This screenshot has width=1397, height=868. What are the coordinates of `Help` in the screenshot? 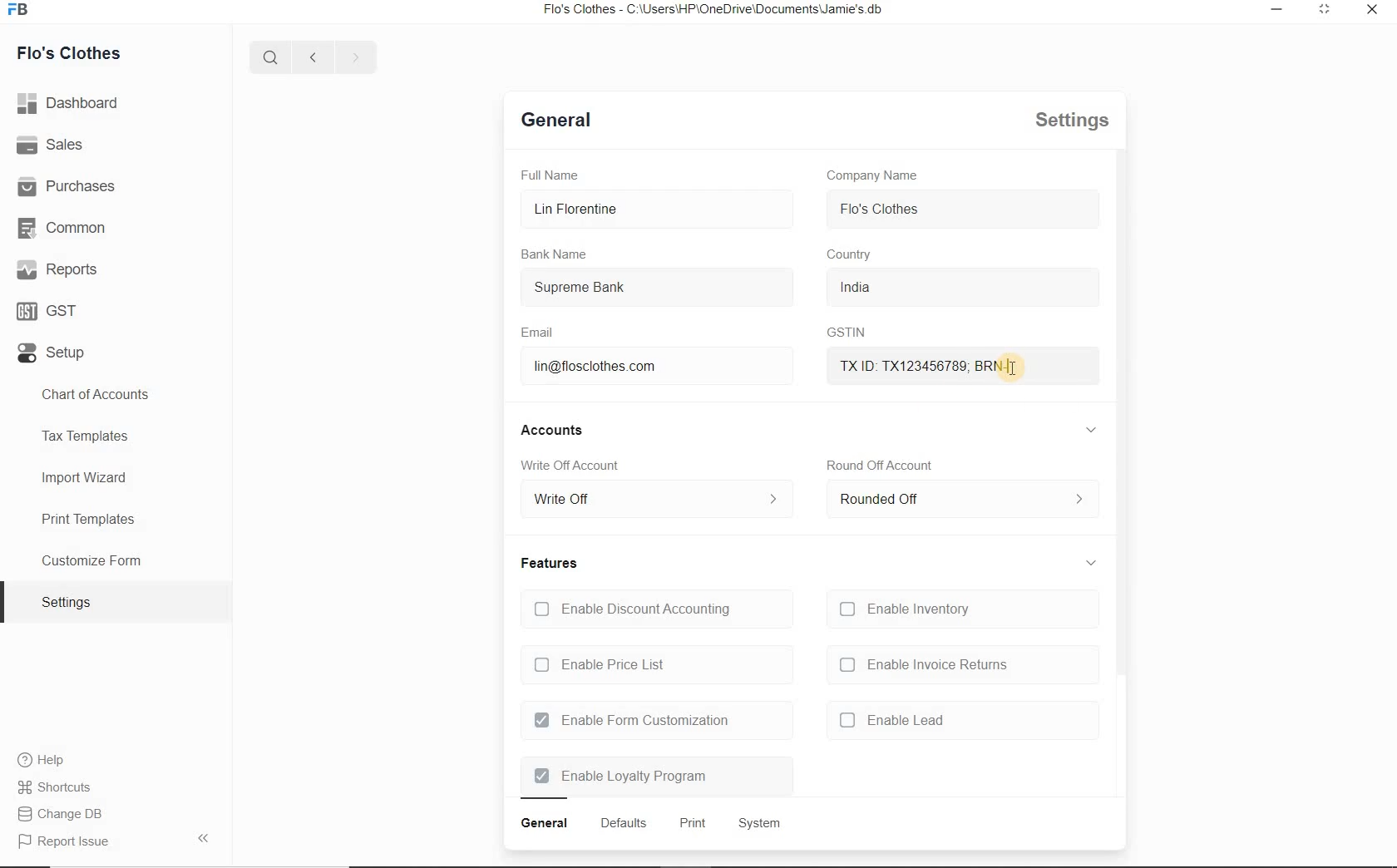 It's located at (47, 760).